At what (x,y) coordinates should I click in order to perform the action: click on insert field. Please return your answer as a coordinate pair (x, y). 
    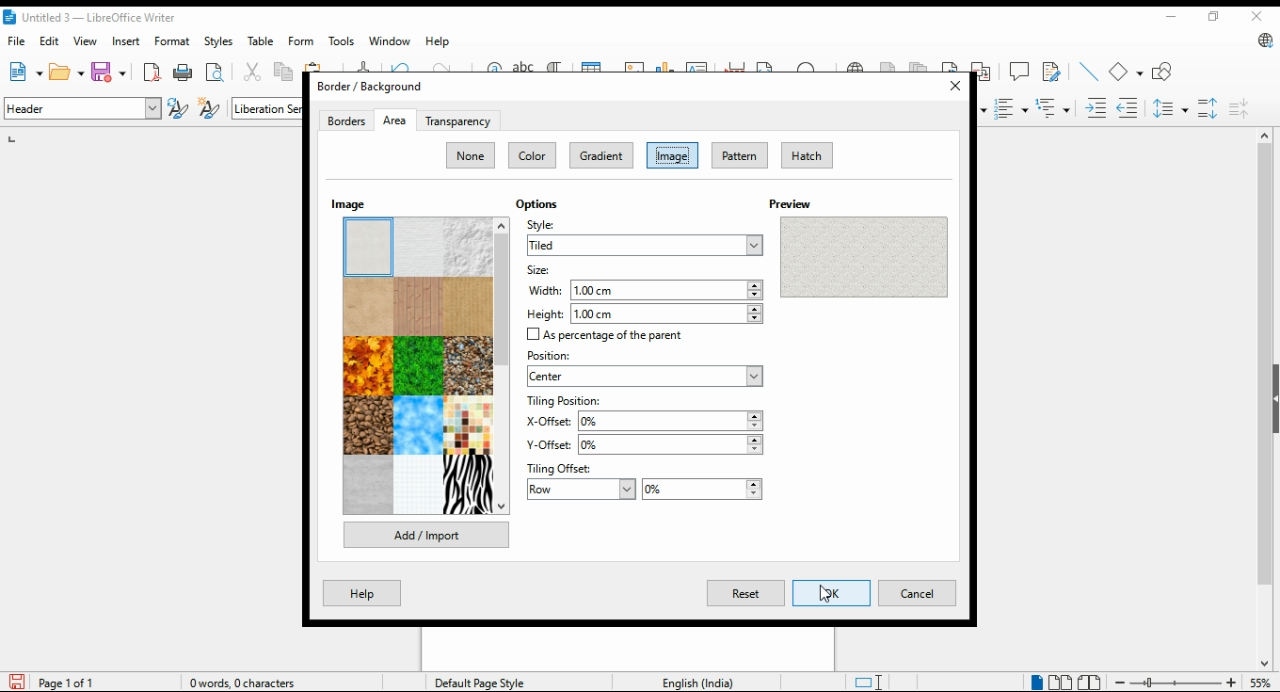
    Looking at the image, I should click on (773, 65).